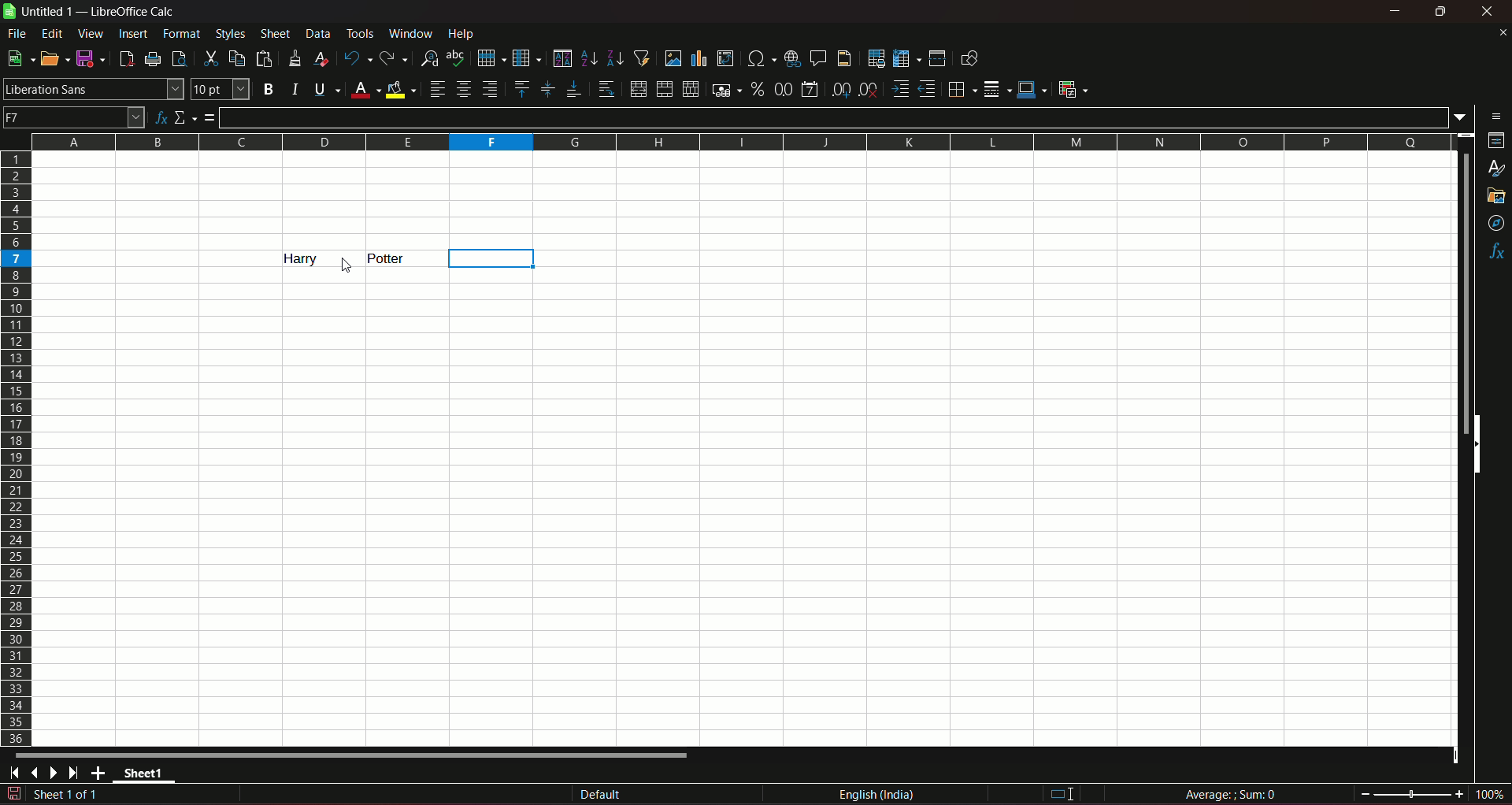 This screenshot has width=1512, height=805. I want to click on sidebar settings, so click(1497, 115).